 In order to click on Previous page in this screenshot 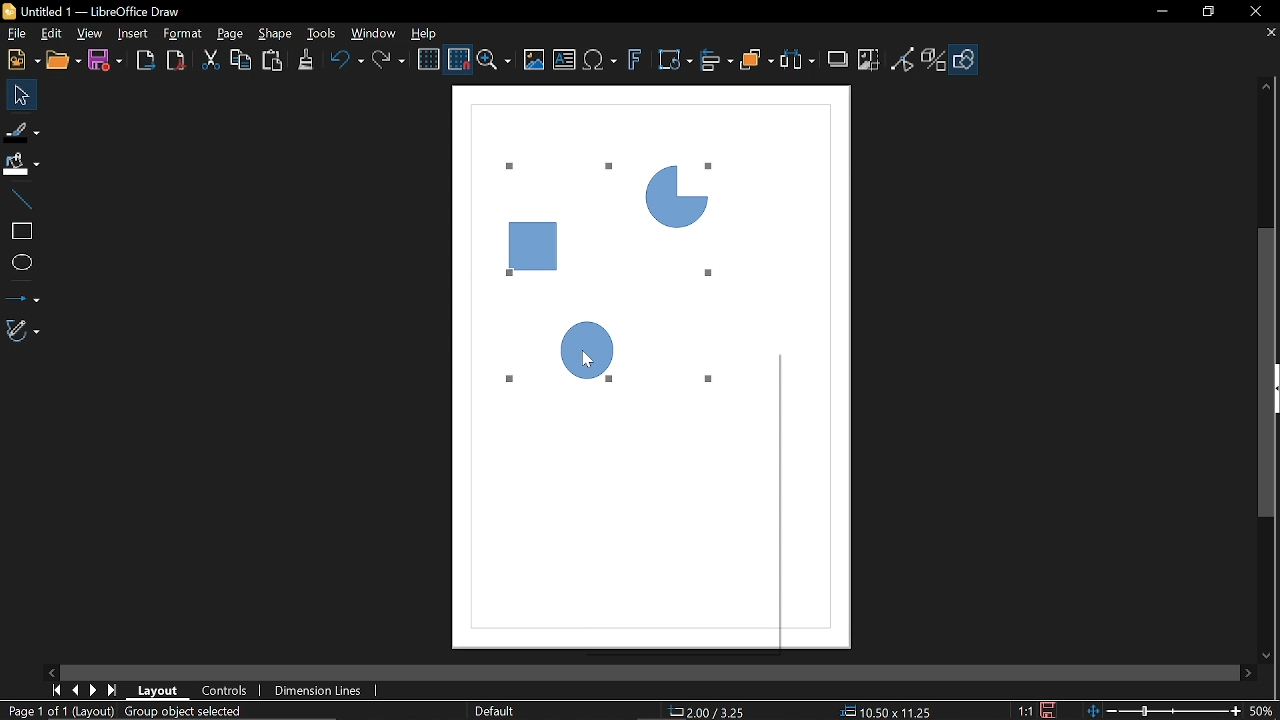, I will do `click(77, 690)`.